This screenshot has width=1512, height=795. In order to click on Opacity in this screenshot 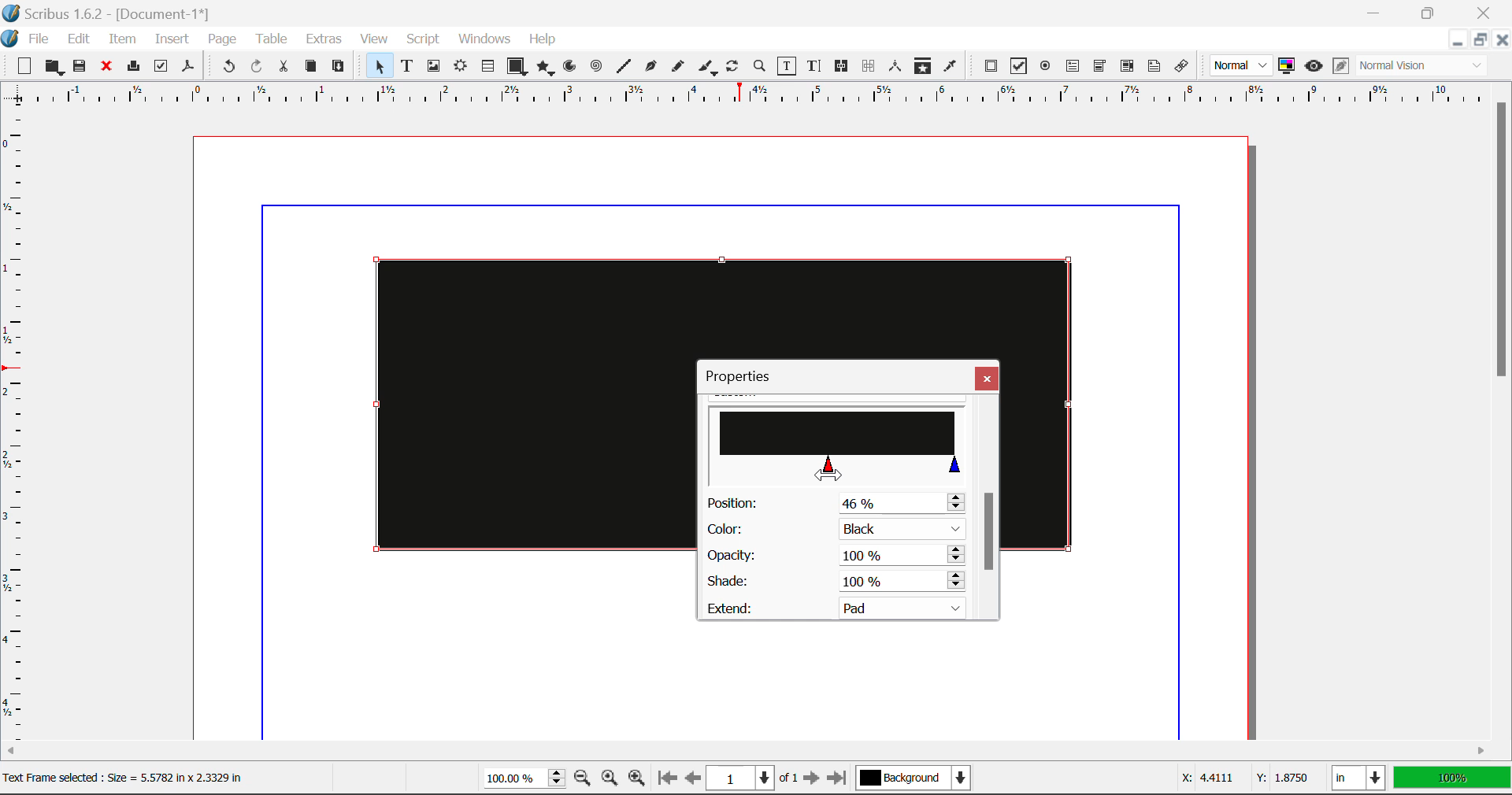, I will do `click(835, 556)`.